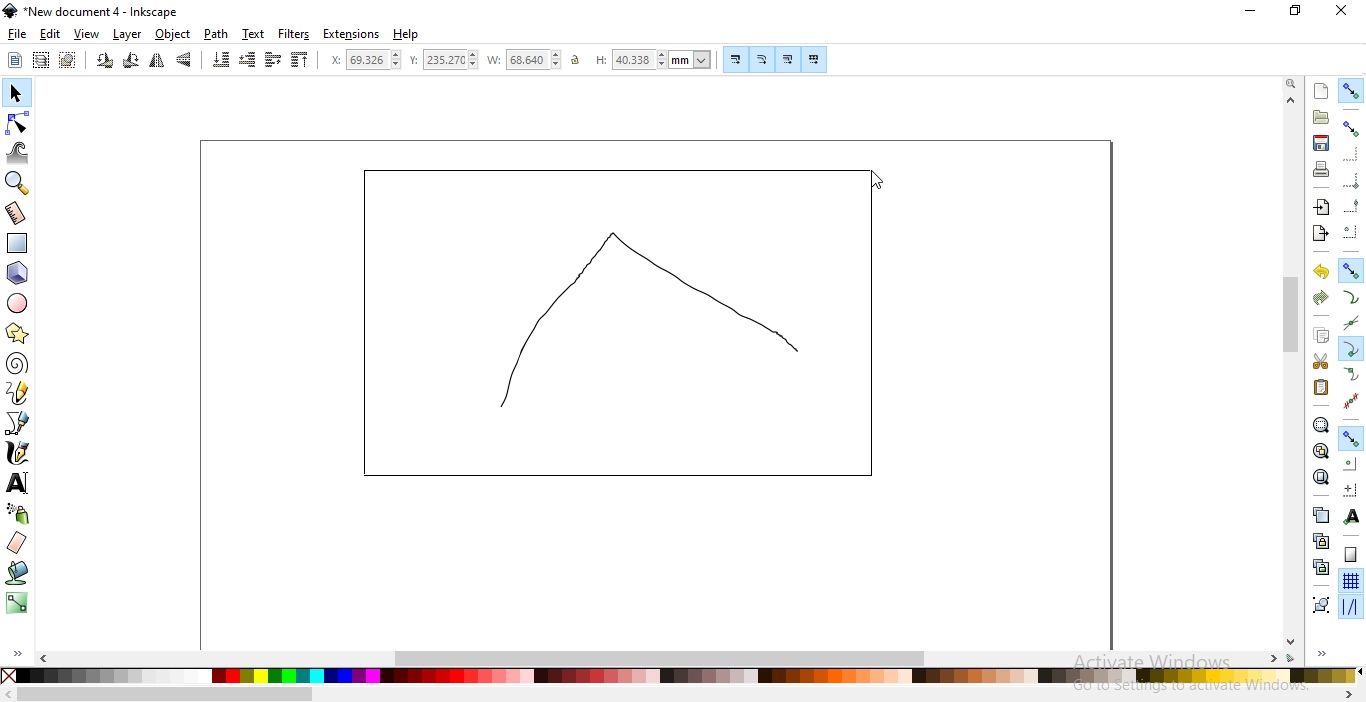 The height and width of the screenshot is (702, 1366). Describe the element at coordinates (1322, 207) in the screenshot. I see `import a bitmap` at that location.